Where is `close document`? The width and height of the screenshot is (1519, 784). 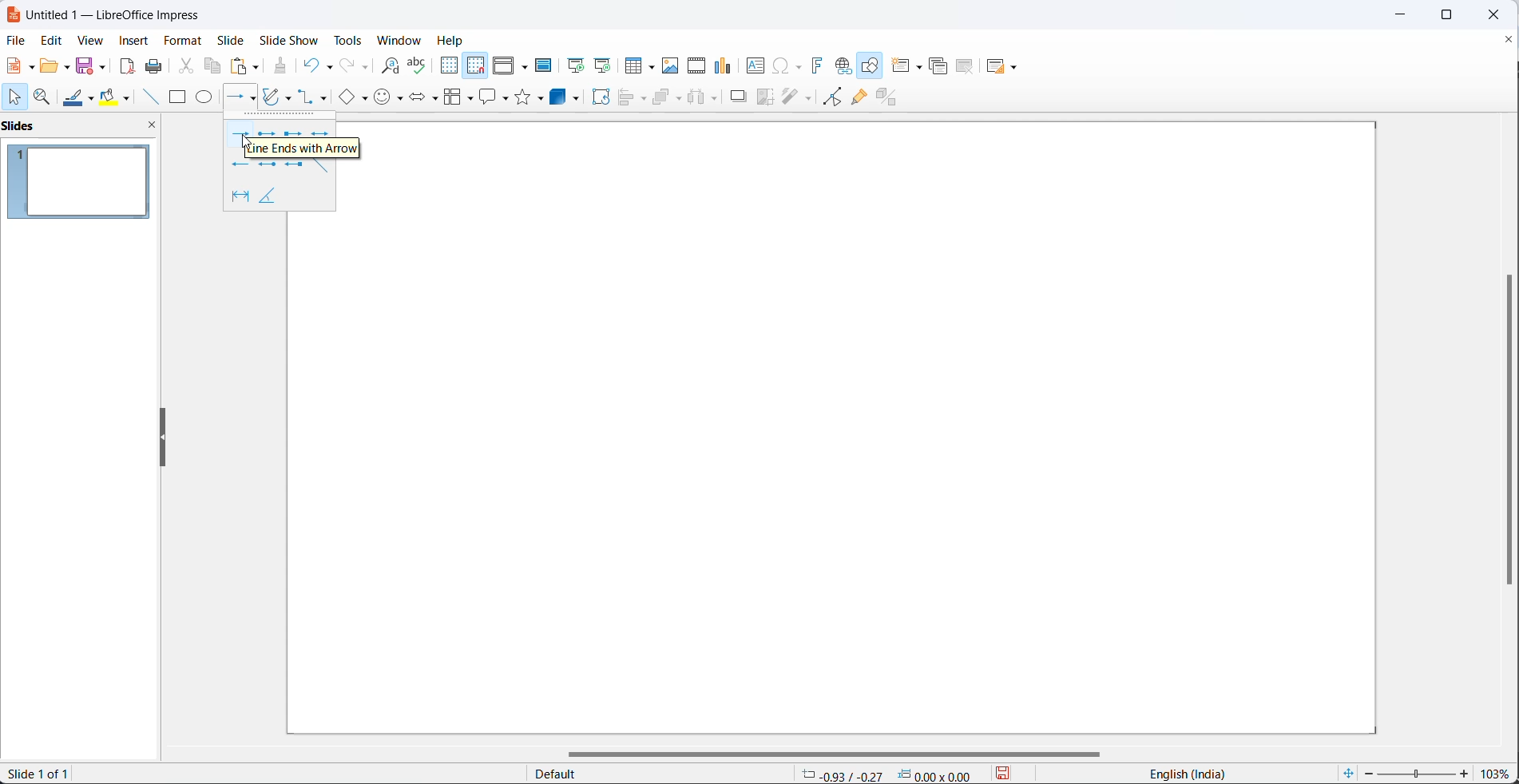
close document is located at coordinates (1509, 38).